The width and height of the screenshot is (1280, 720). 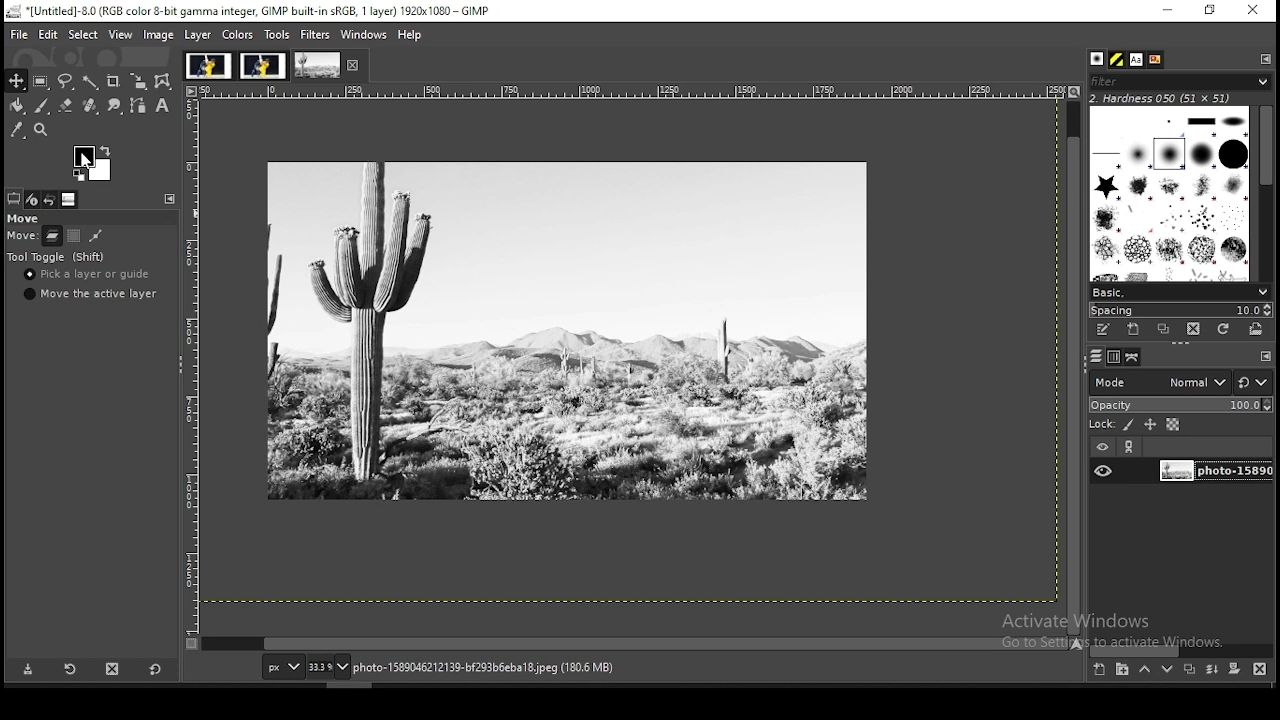 What do you see at coordinates (65, 81) in the screenshot?
I see `free selection tool` at bounding box center [65, 81].